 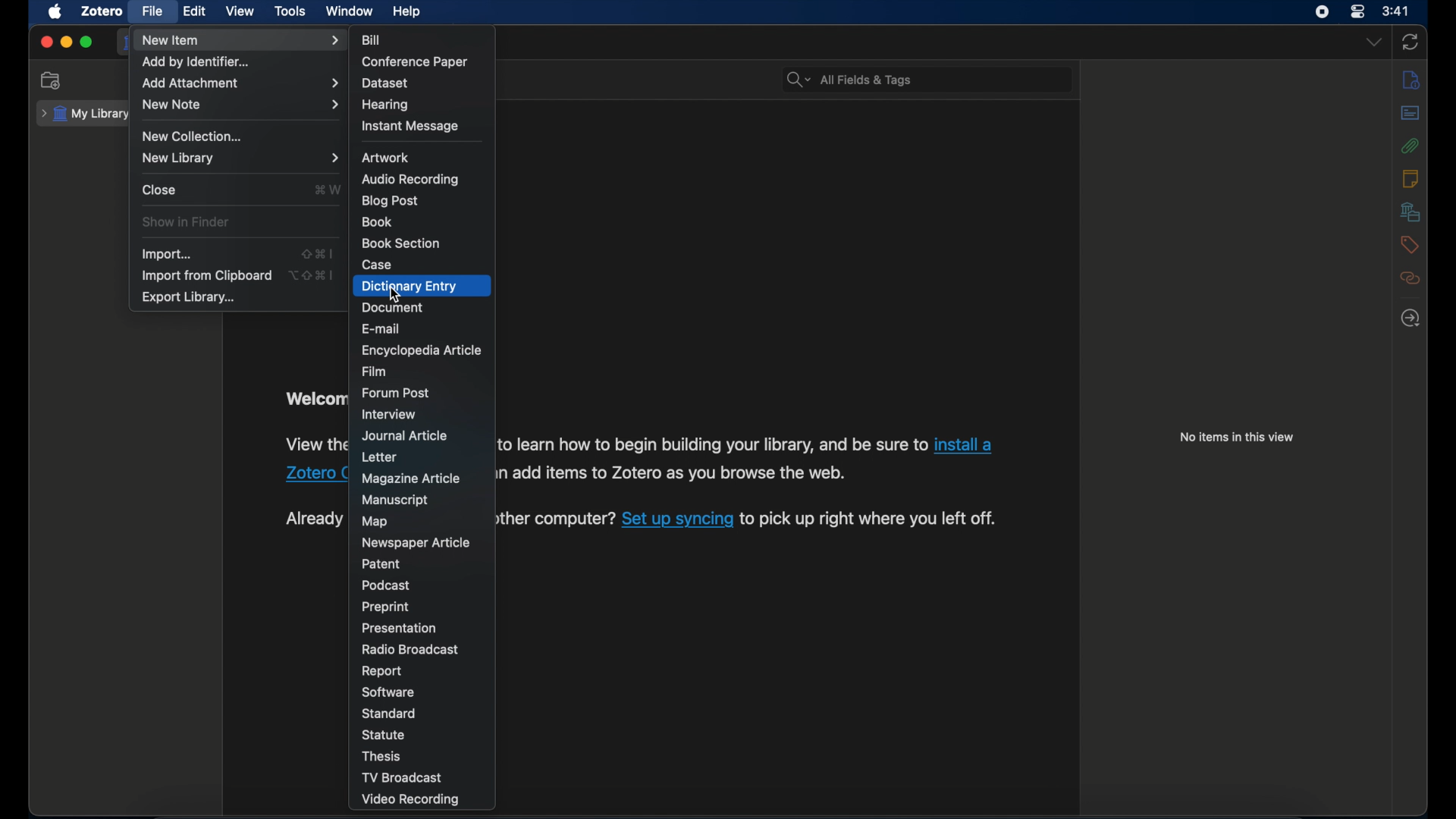 I want to click on abstract, so click(x=1410, y=113).